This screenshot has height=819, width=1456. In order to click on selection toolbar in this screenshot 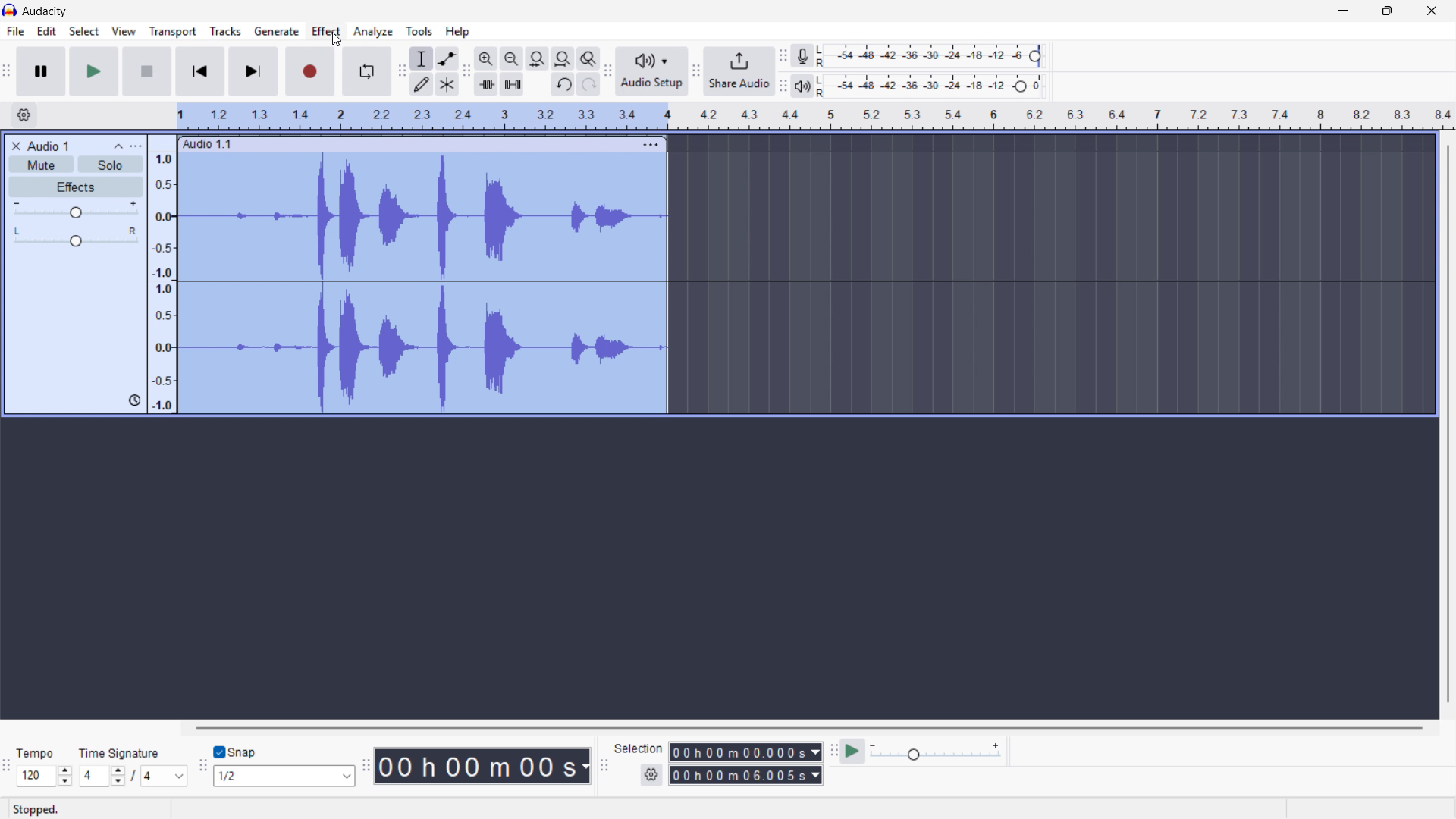, I will do `click(604, 766)`.